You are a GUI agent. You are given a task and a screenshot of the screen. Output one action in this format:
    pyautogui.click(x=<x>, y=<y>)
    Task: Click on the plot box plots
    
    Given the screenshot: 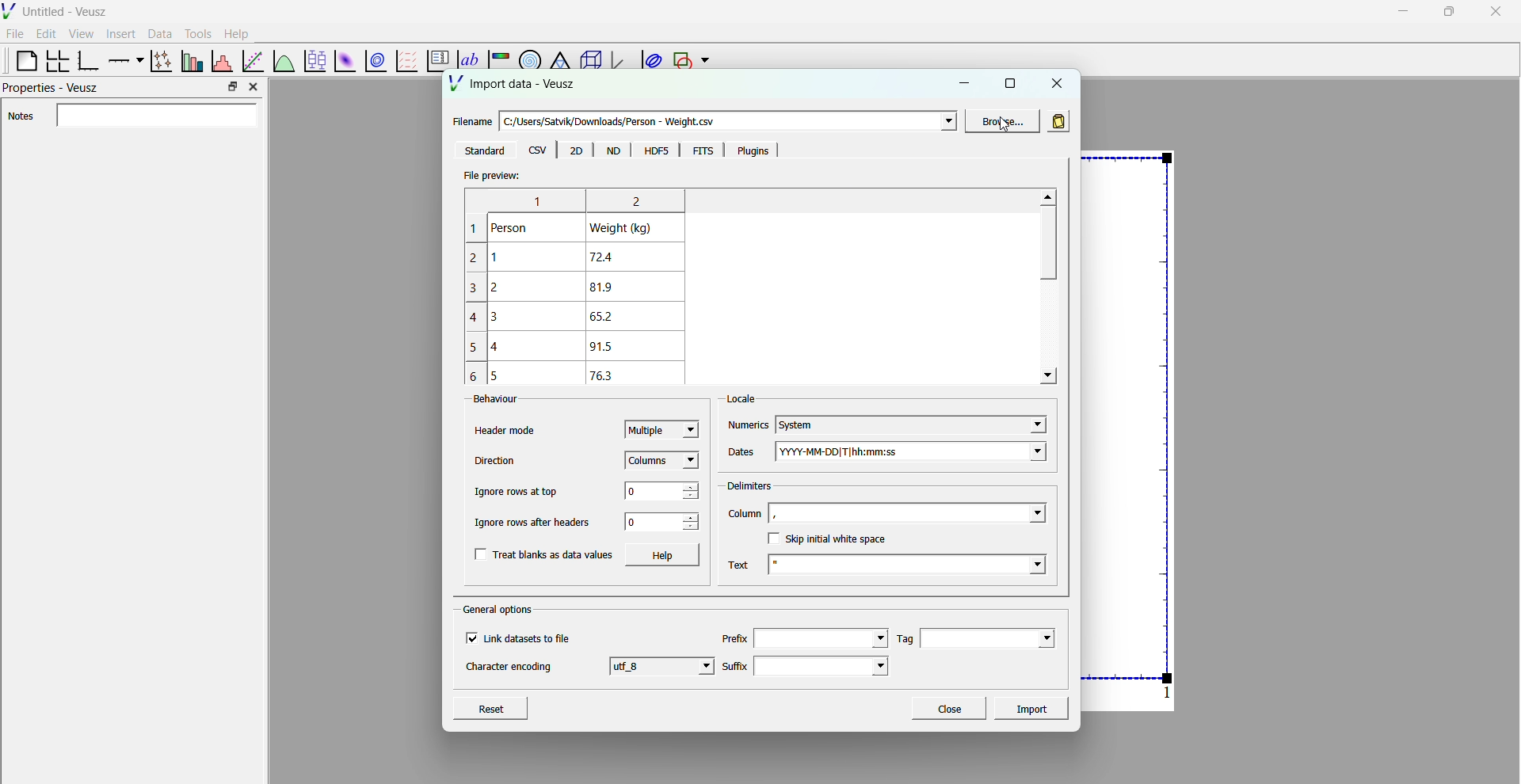 What is the action you would take?
    pyautogui.click(x=314, y=61)
    